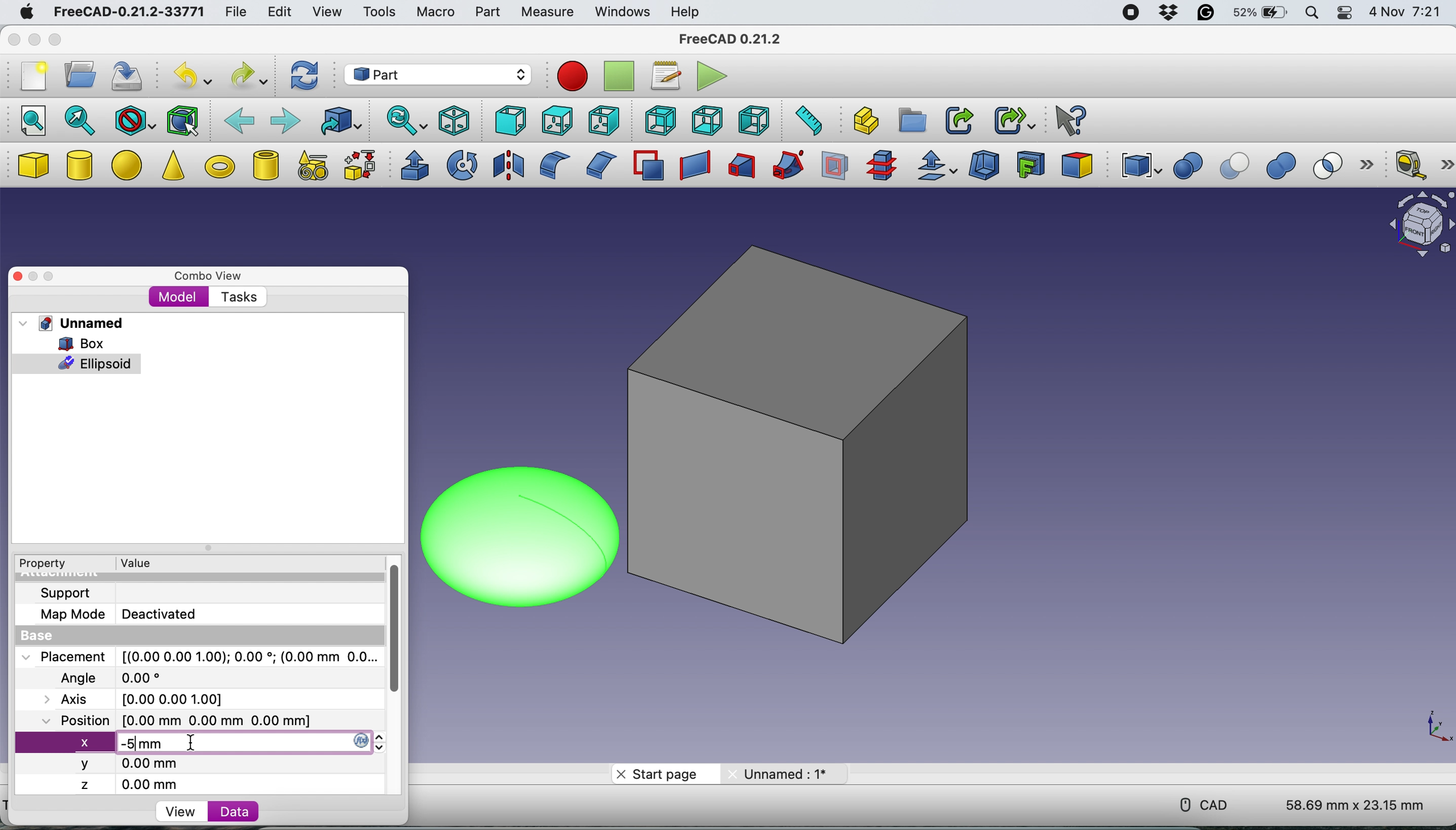  I want to click on sync view, so click(404, 122).